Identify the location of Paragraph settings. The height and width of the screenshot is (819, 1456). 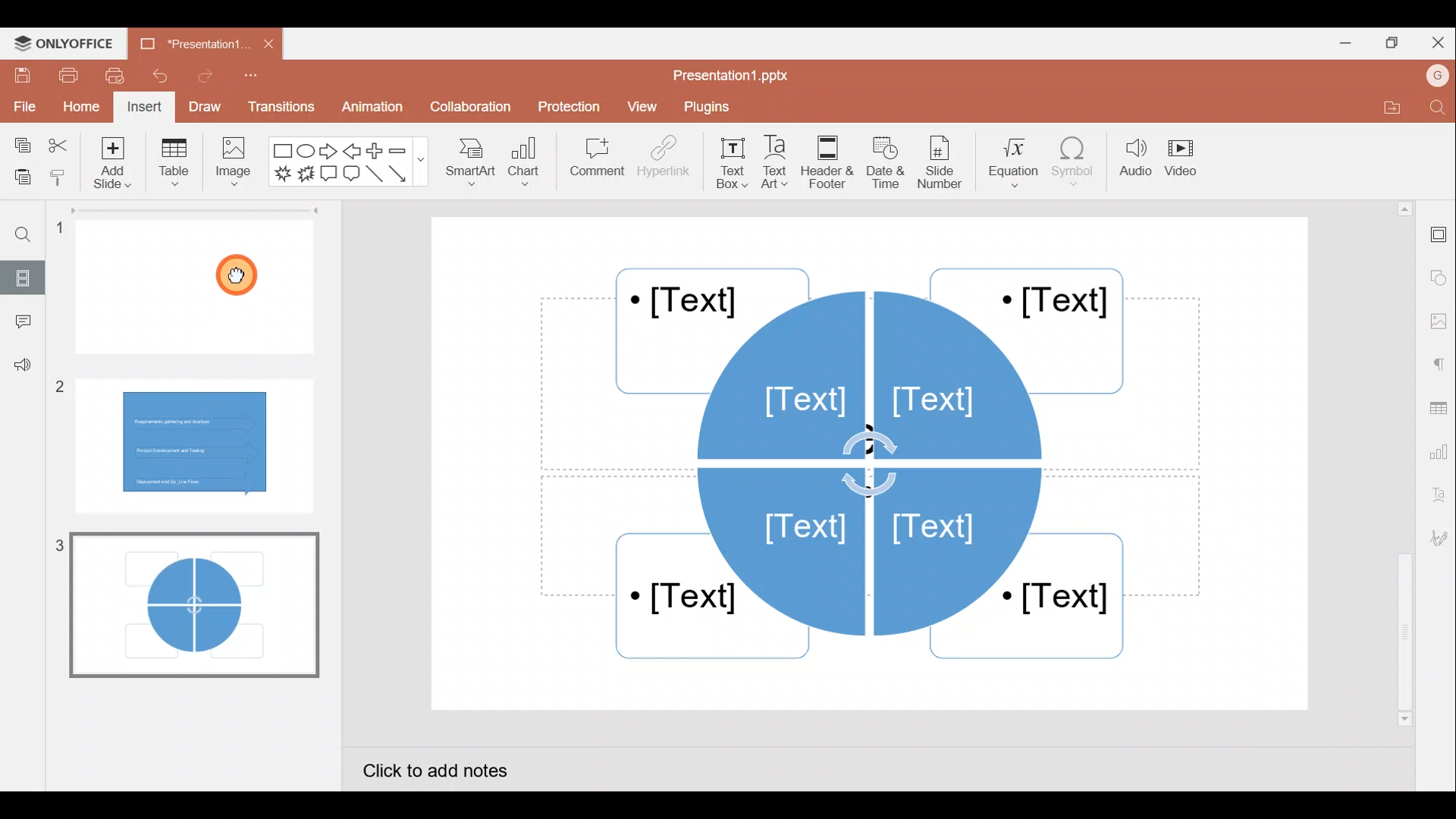
(1441, 365).